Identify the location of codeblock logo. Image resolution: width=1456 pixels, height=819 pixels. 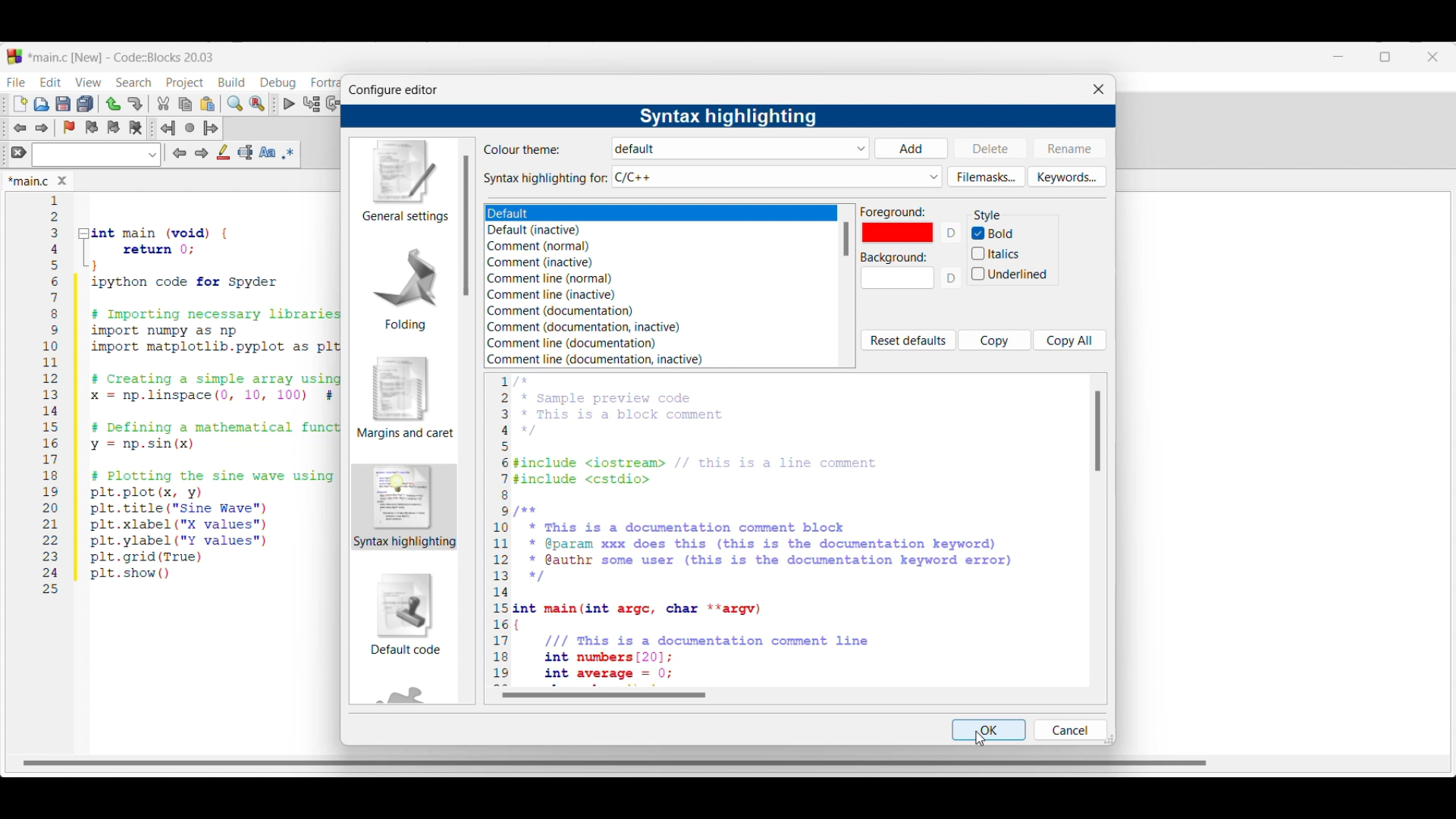
(14, 57).